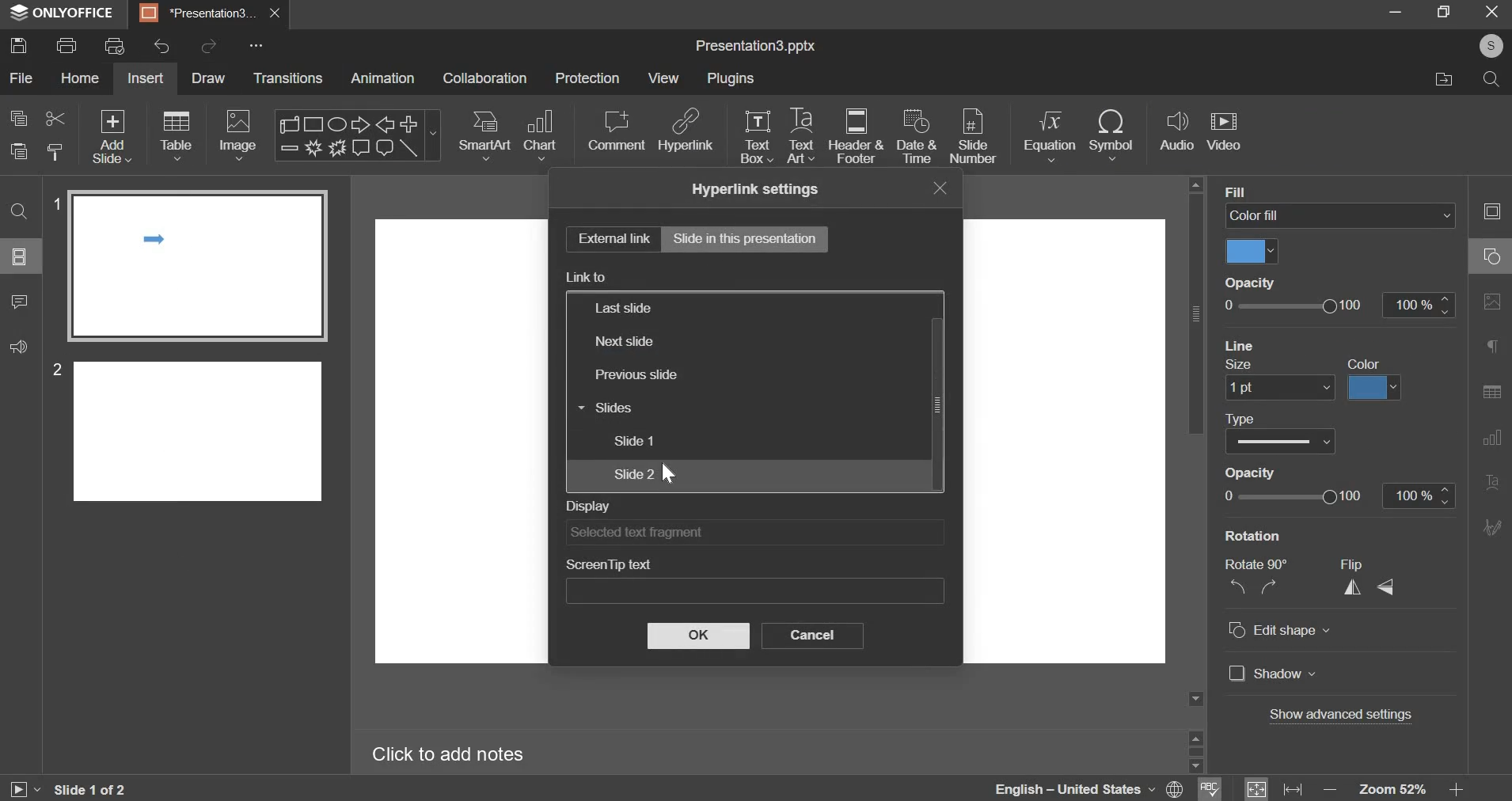  I want to click on Presentation3, so click(195, 16).